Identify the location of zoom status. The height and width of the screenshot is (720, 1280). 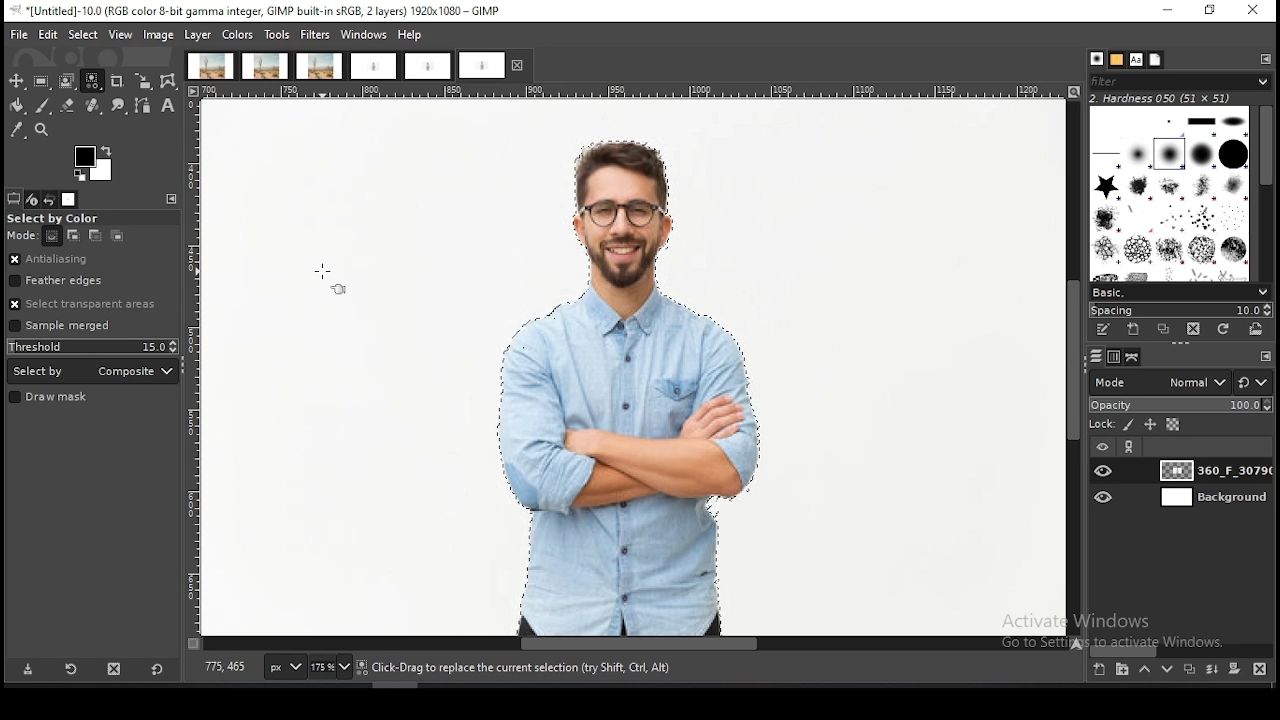
(332, 668).